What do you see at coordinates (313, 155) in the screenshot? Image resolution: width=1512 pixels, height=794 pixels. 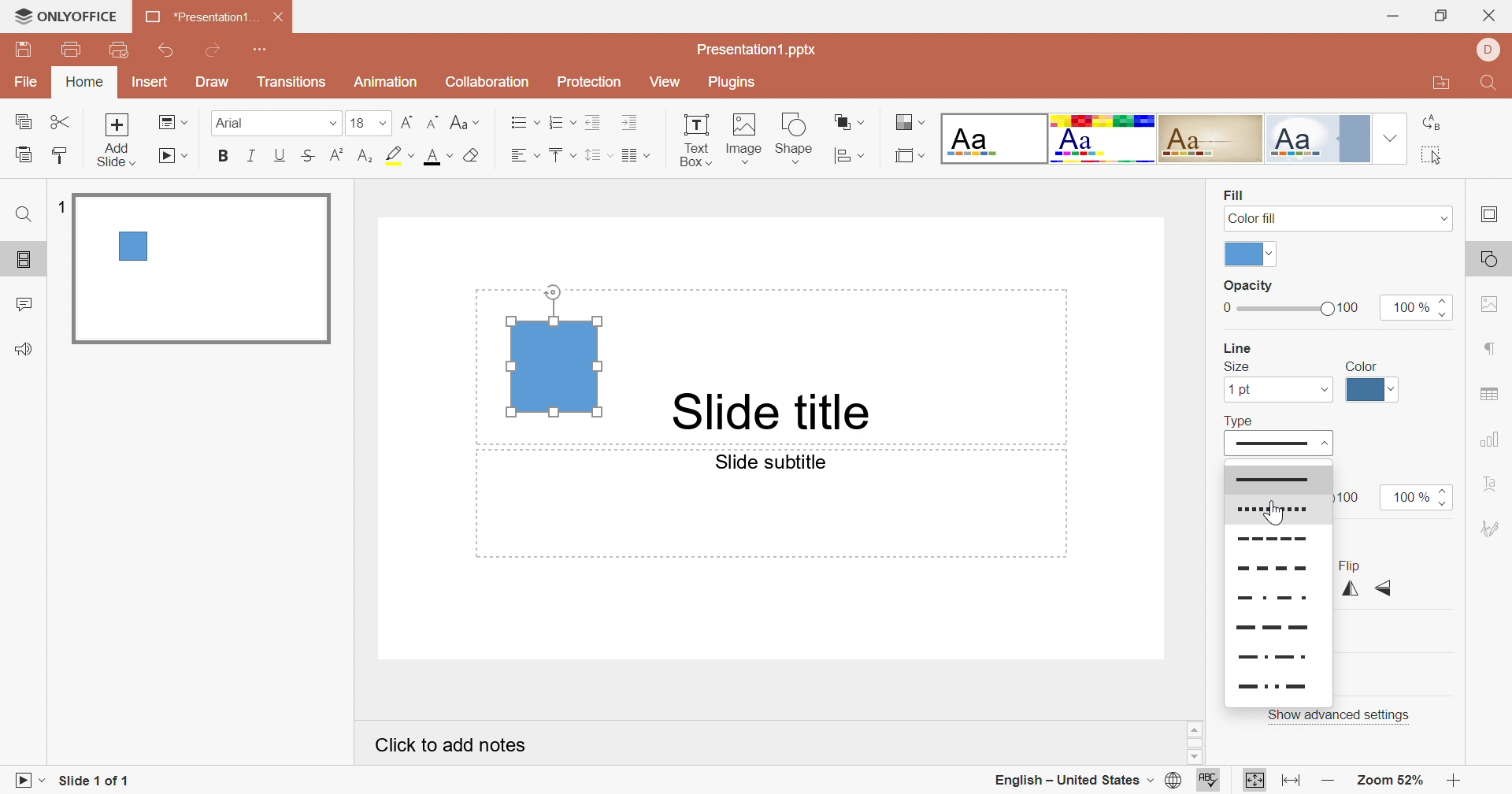 I see `Strikethrough` at bounding box center [313, 155].